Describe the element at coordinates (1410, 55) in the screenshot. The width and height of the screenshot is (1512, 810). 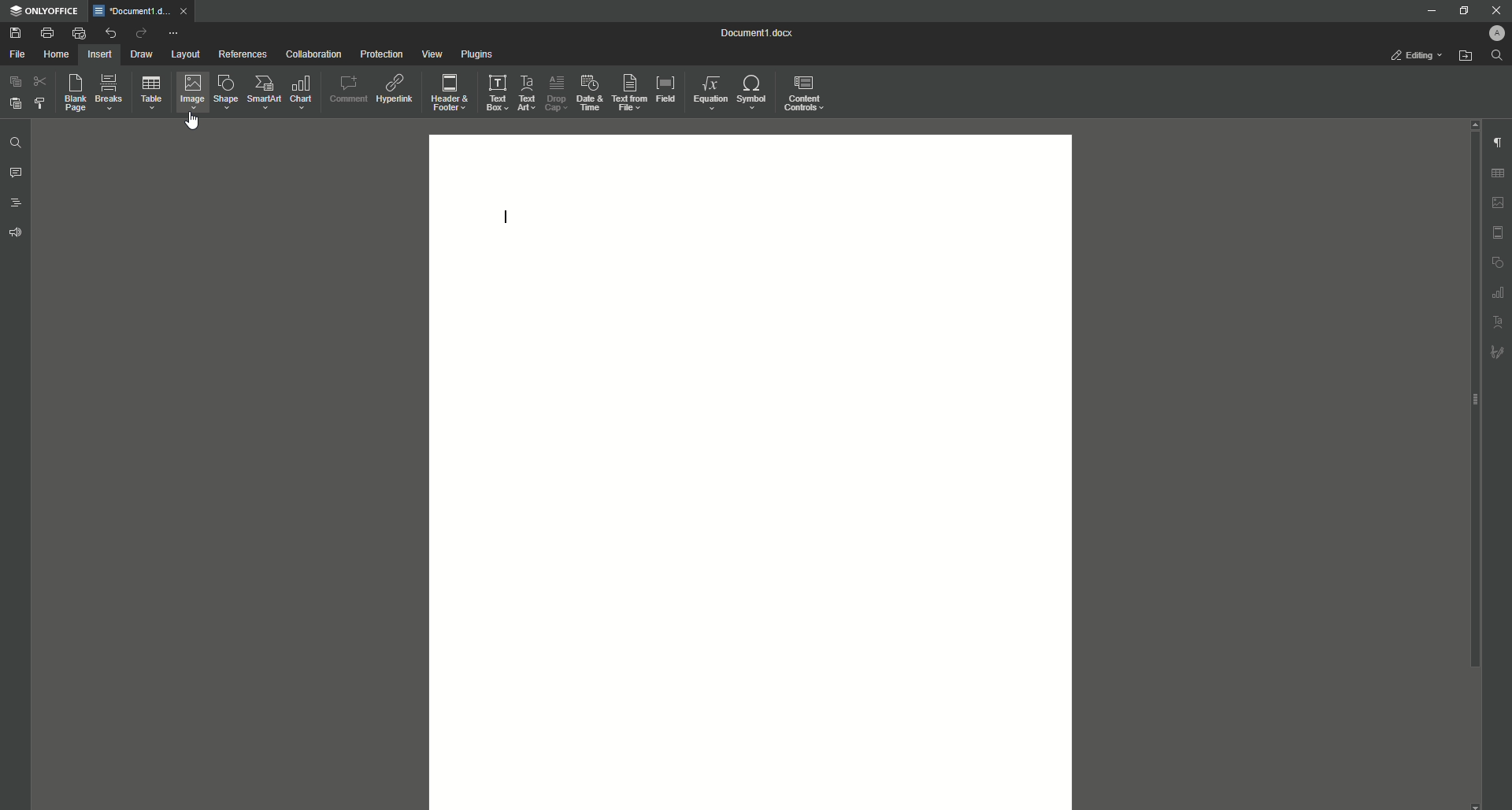
I see `Editing` at that location.